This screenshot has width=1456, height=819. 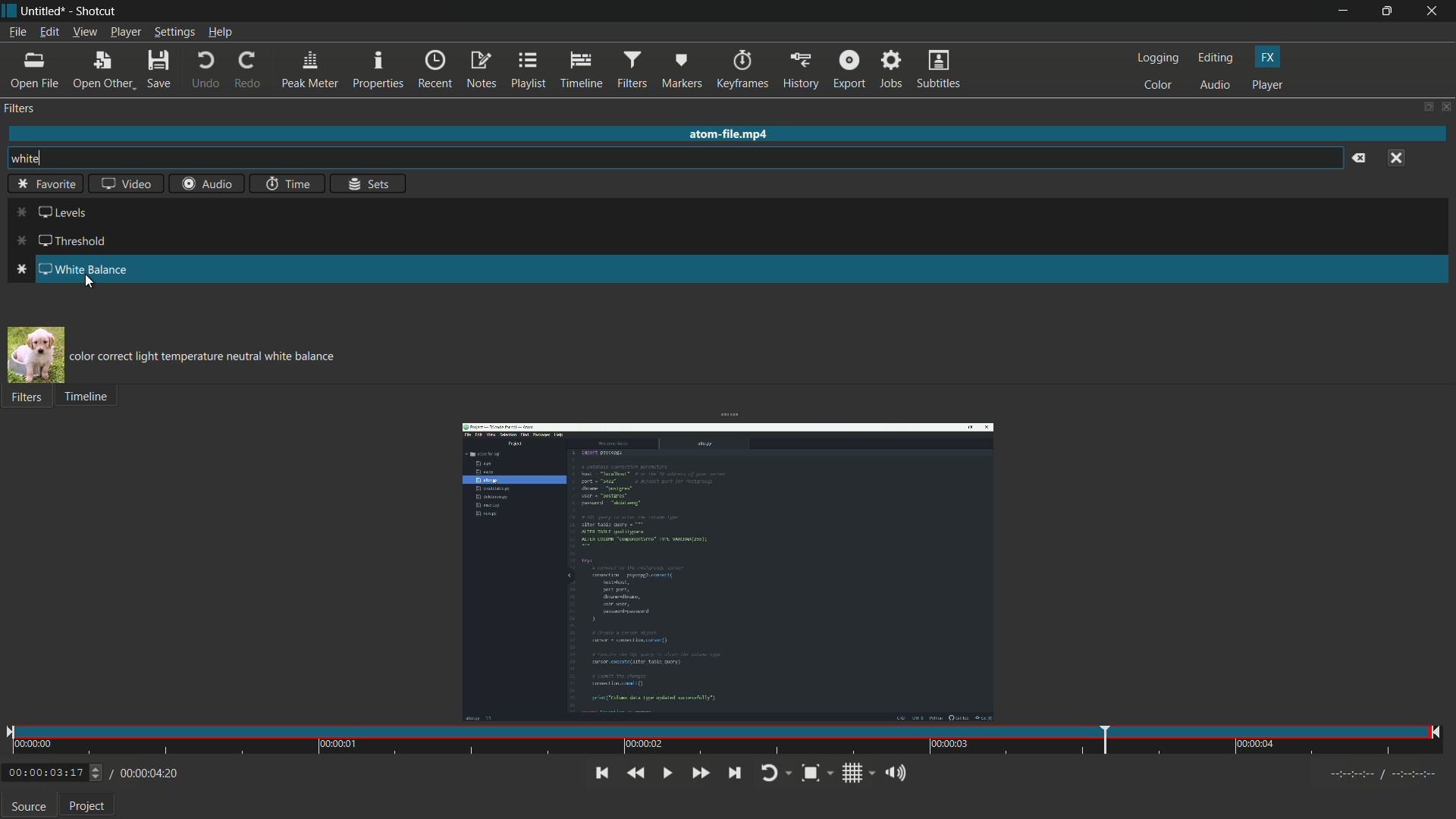 What do you see at coordinates (527, 71) in the screenshot?
I see `playlist` at bounding box center [527, 71].